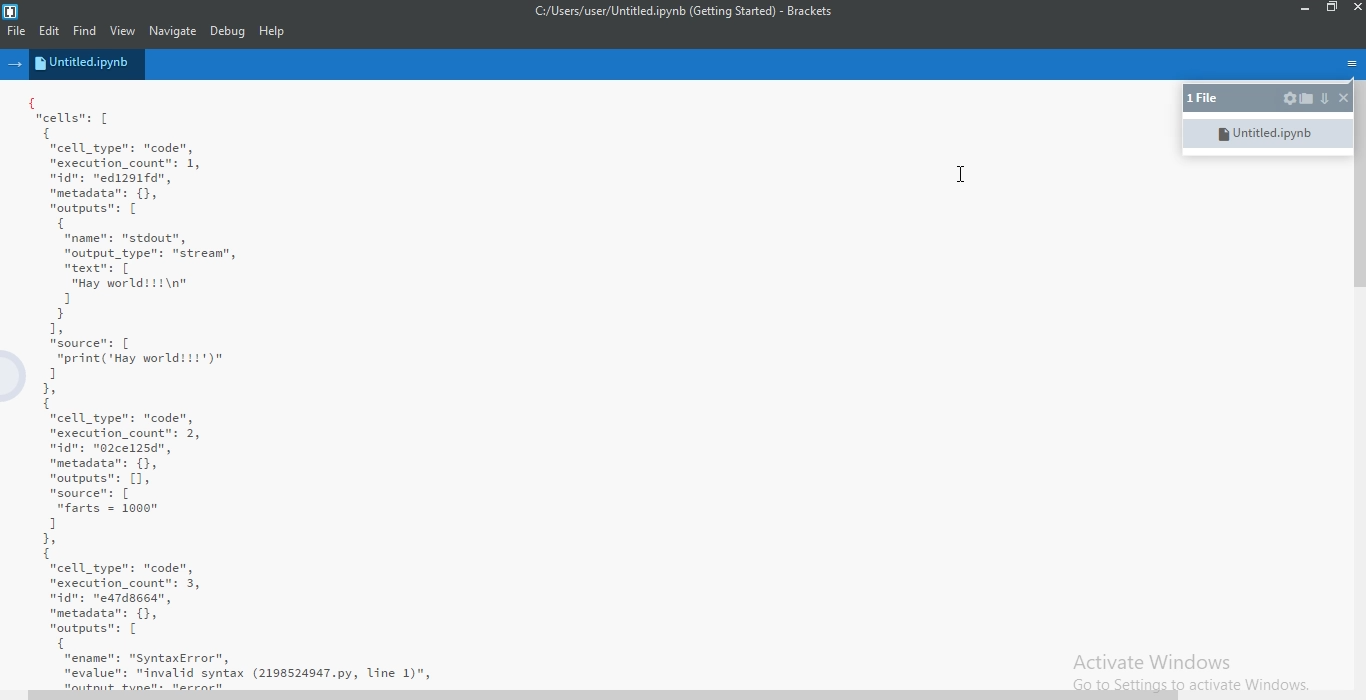 The image size is (1366, 700). What do you see at coordinates (273, 33) in the screenshot?
I see `Help` at bounding box center [273, 33].